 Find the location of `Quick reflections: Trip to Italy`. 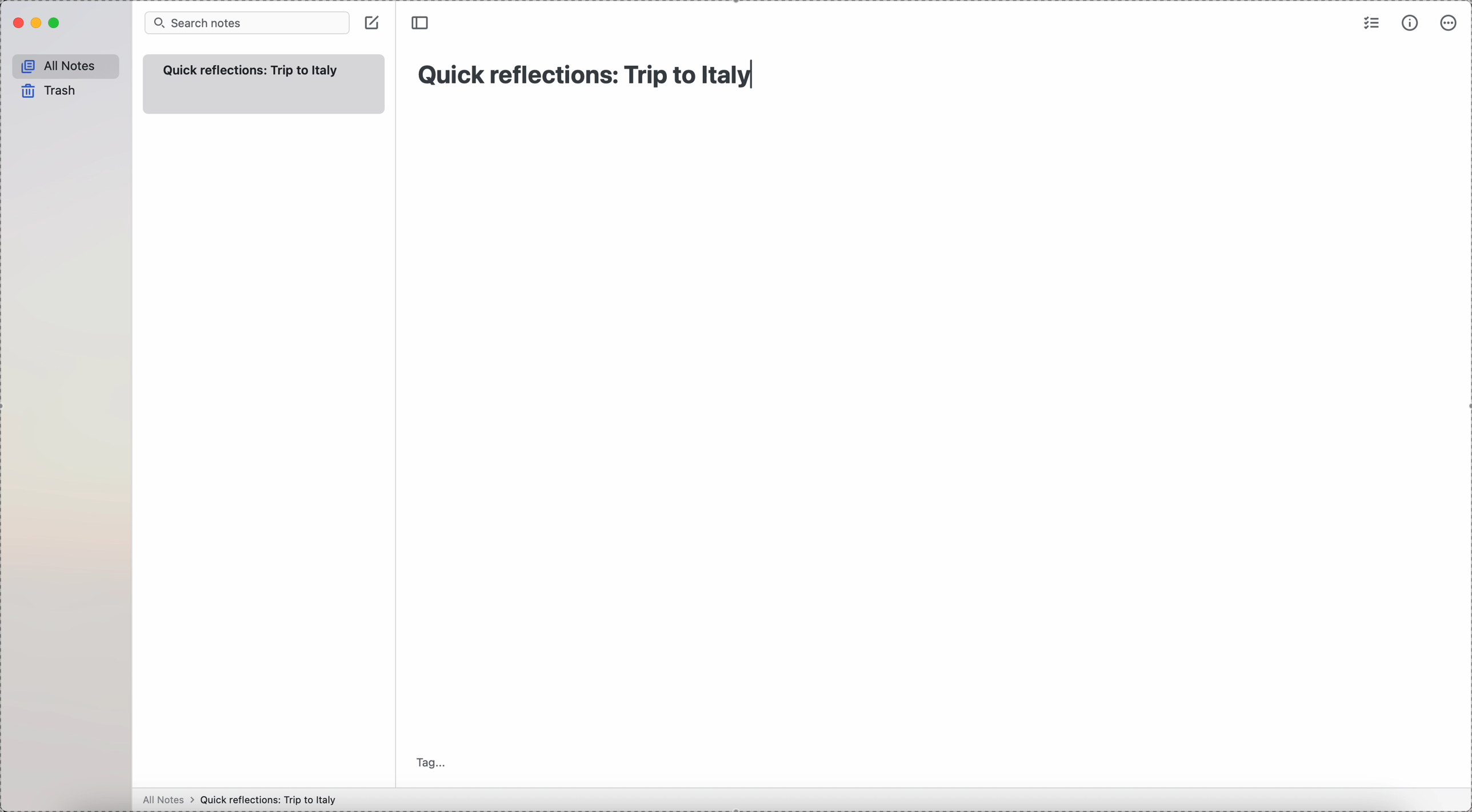

Quick reflections: Trip to Italy is located at coordinates (591, 75).